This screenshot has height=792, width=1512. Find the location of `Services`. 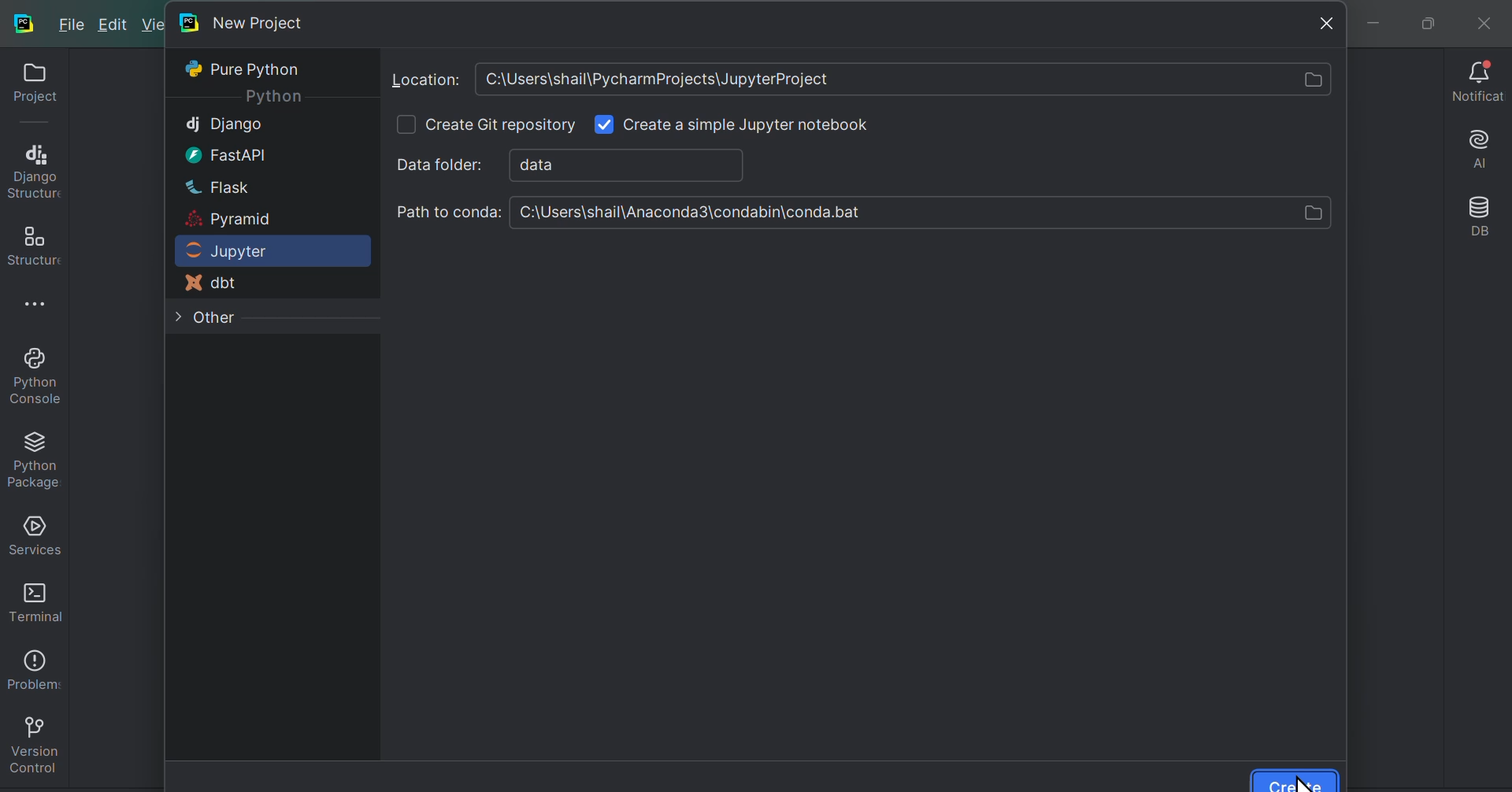

Services is located at coordinates (33, 532).